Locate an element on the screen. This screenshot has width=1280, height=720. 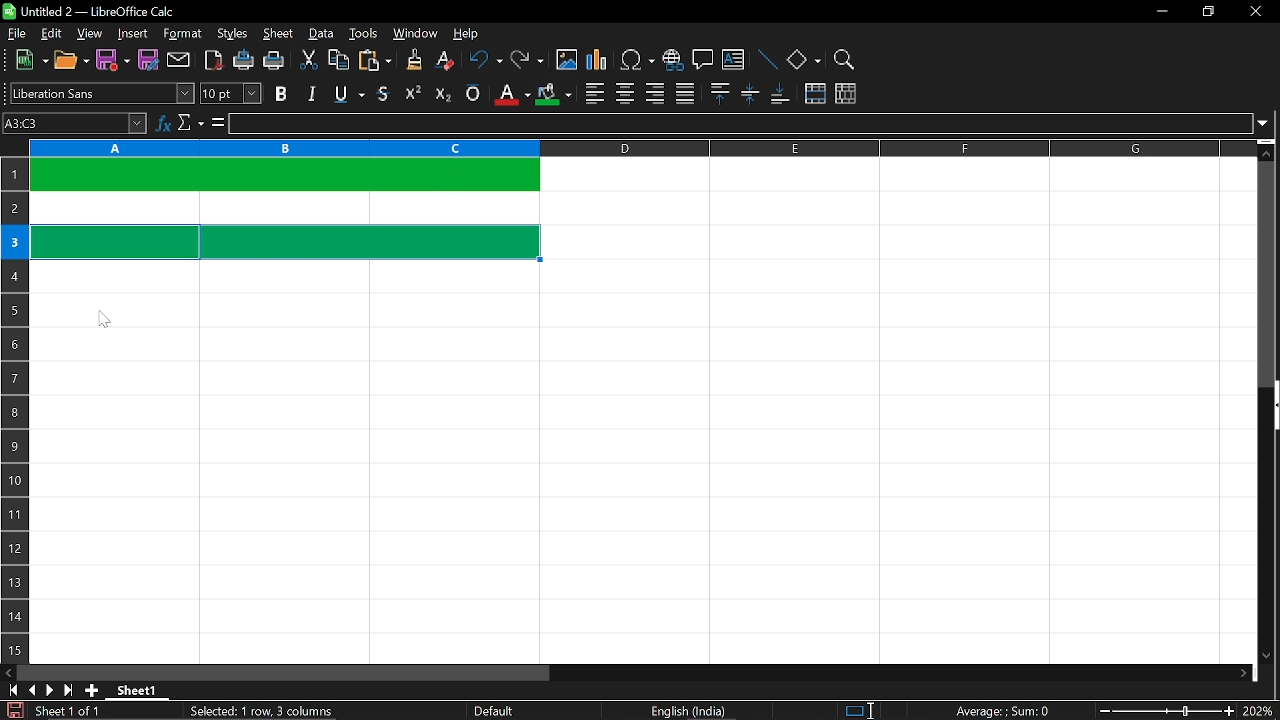
sheet is located at coordinates (278, 34).